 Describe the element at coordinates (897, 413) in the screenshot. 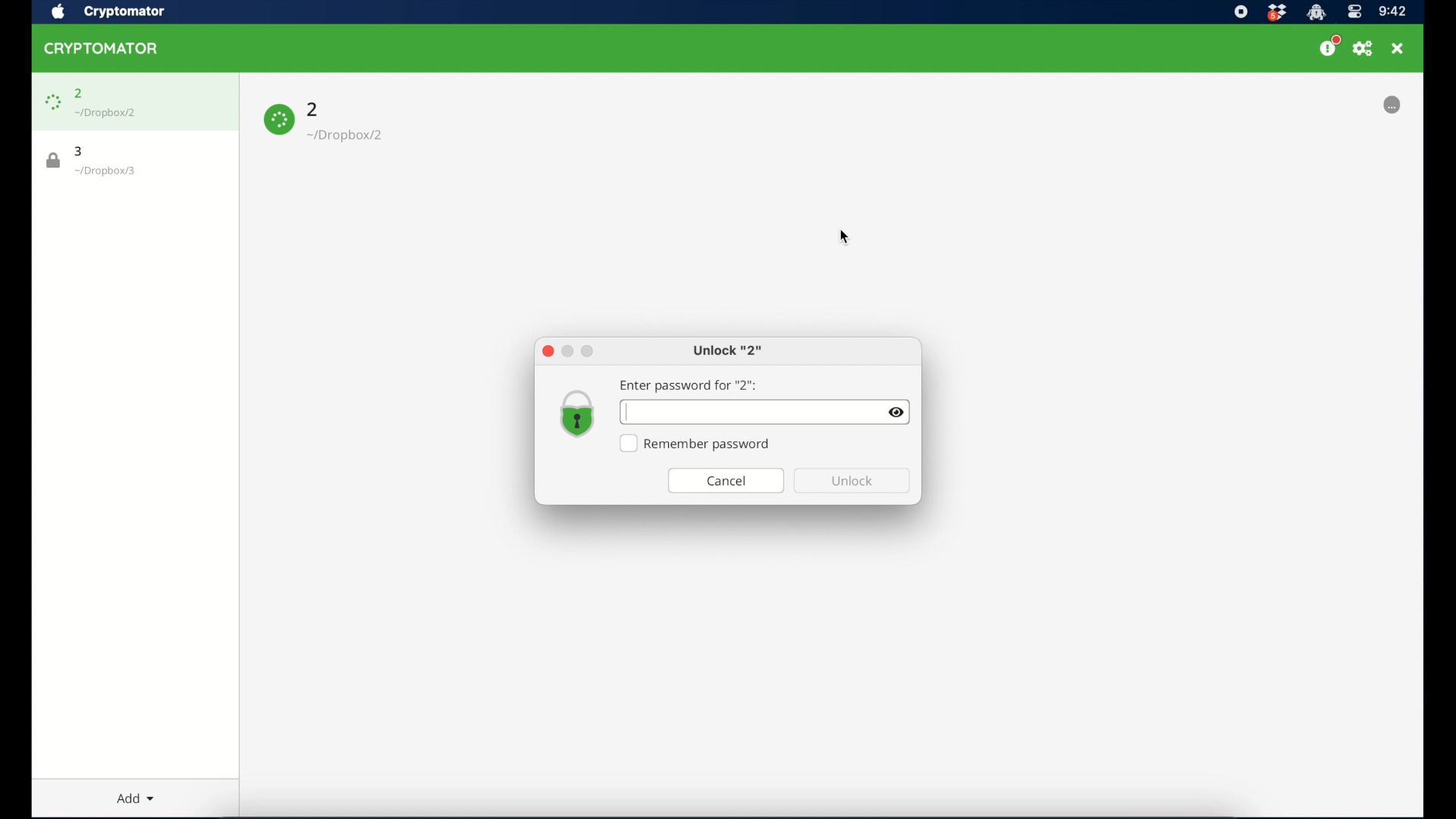

I see `visibility toggle` at that location.